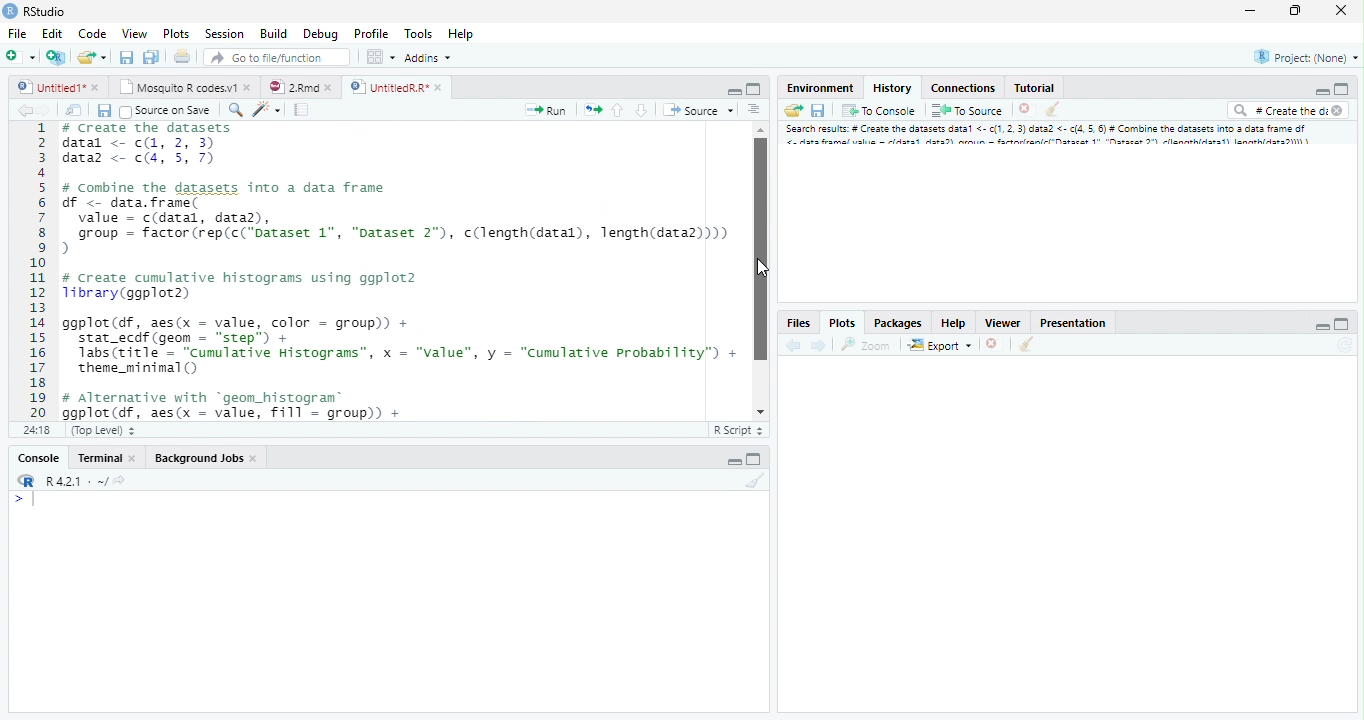 The height and width of the screenshot is (720, 1364). Describe the element at coordinates (188, 87) in the screenshot. I see `Mosquito R codes` at that location.